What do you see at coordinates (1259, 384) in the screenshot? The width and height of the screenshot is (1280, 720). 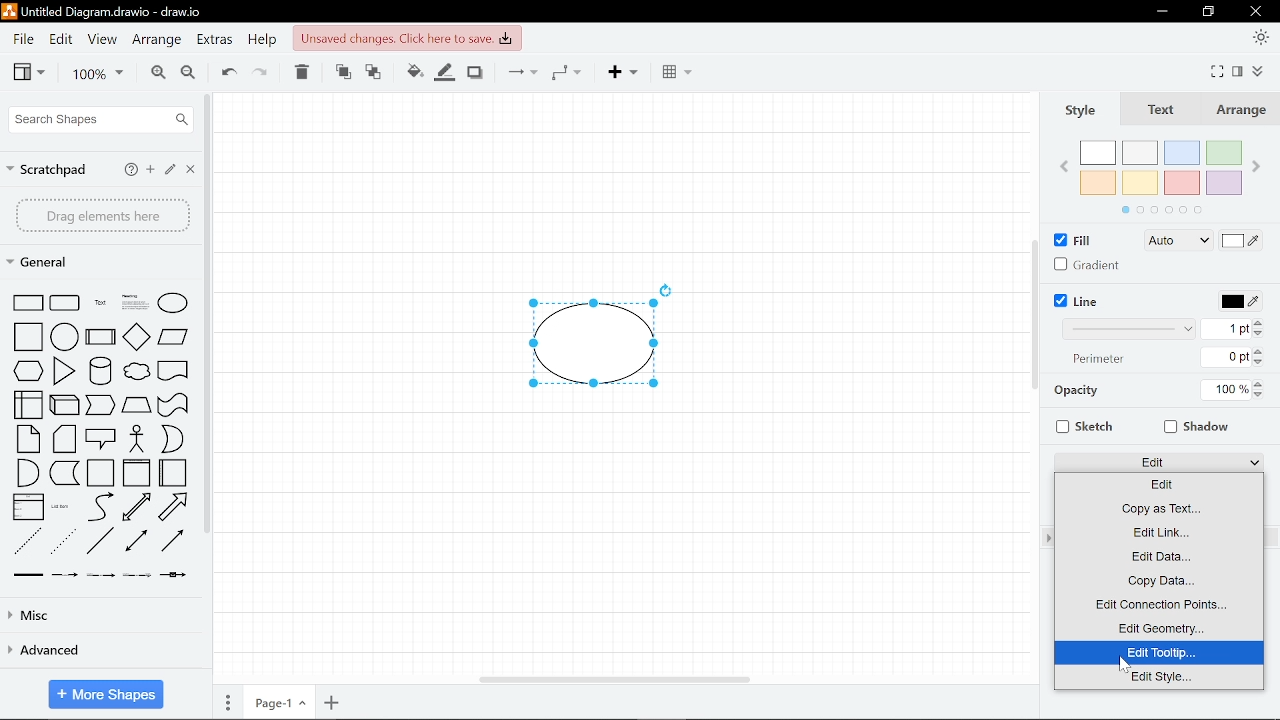 I see `Increase opacity` at bounding box center [1259, 384].